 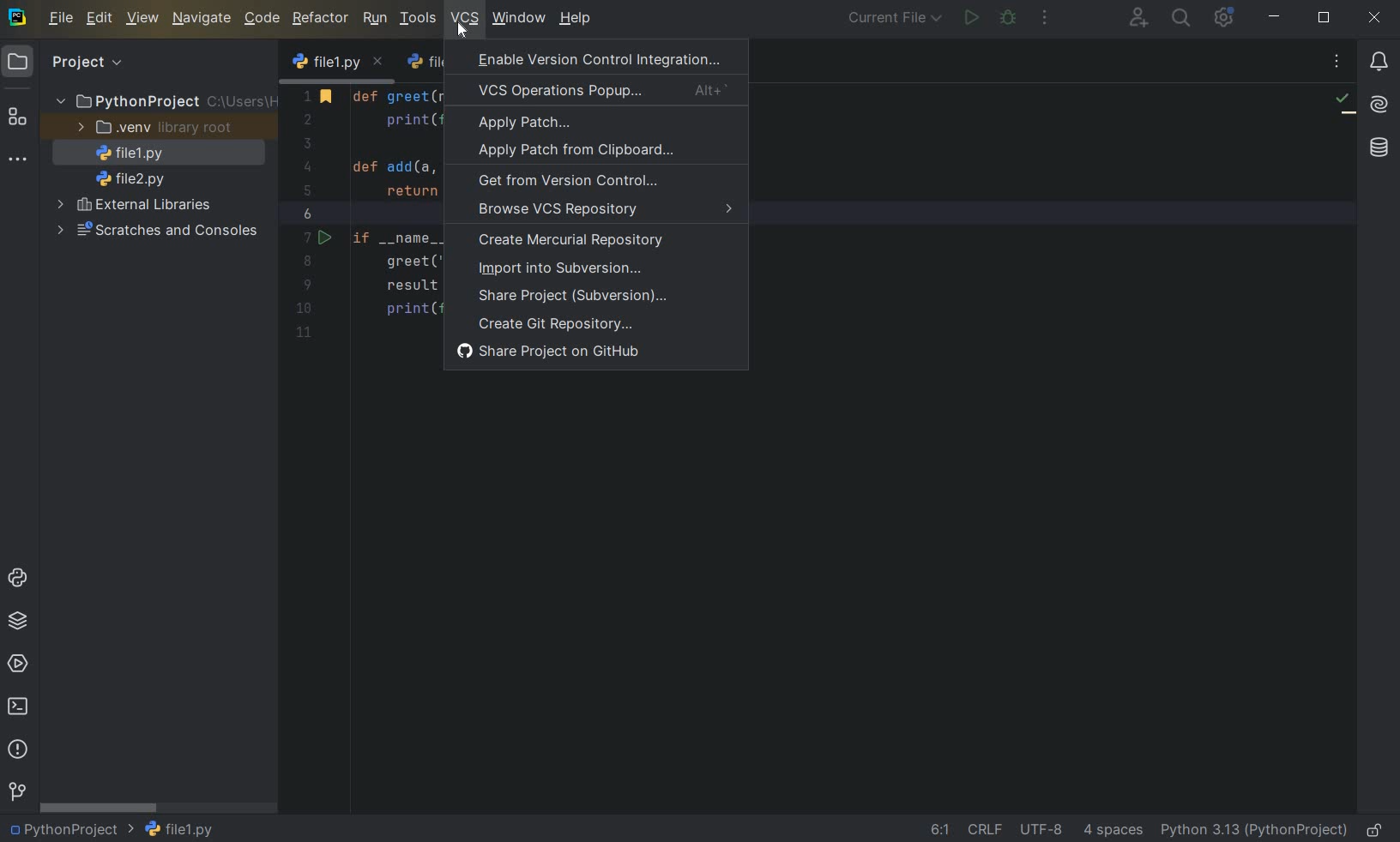 I want to click on browse VCS Repository, so click(x=601, y=213).